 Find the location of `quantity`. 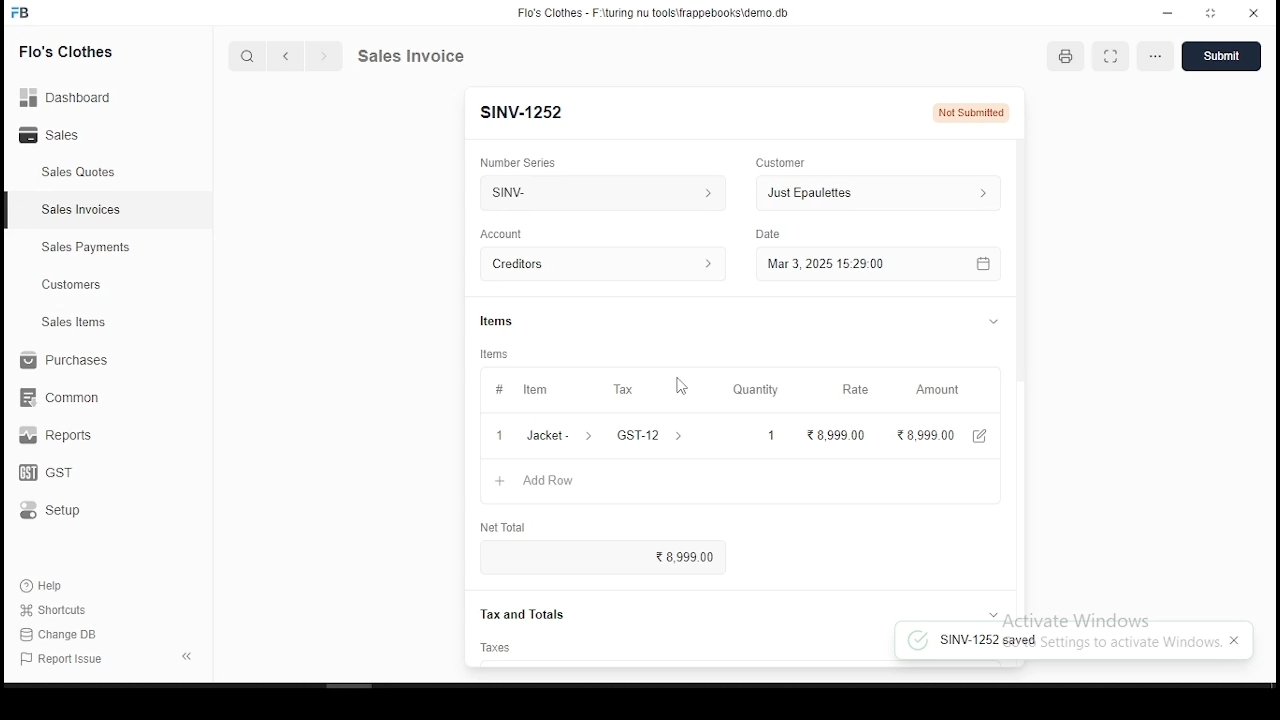

quantity is located at coordinates (760, 389).